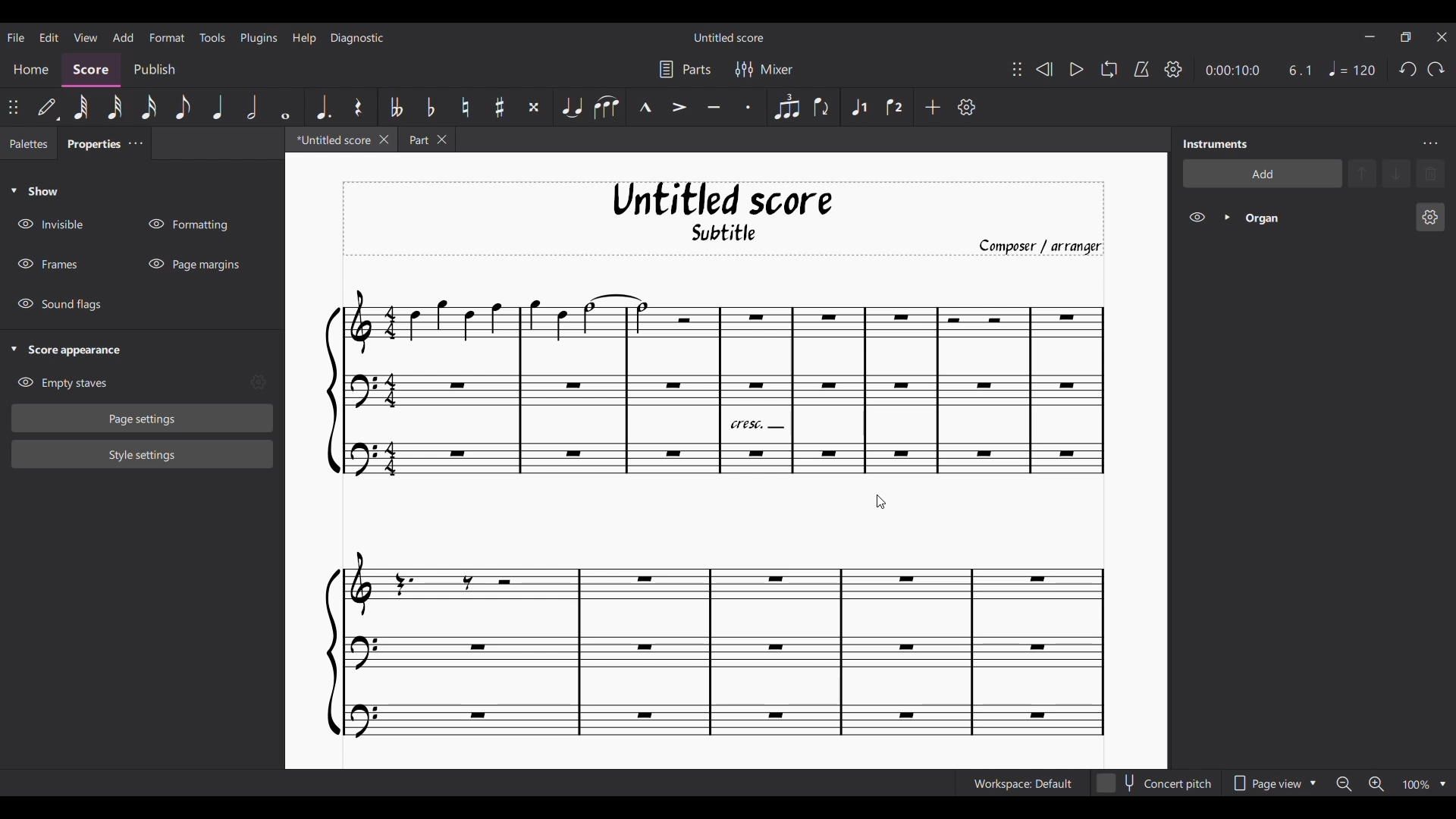 This screenshot has width=1456, height=819. What do you see at coordinates (16, 36) in the screenshot?
I see `File menu` at bounding box center [16, 36].